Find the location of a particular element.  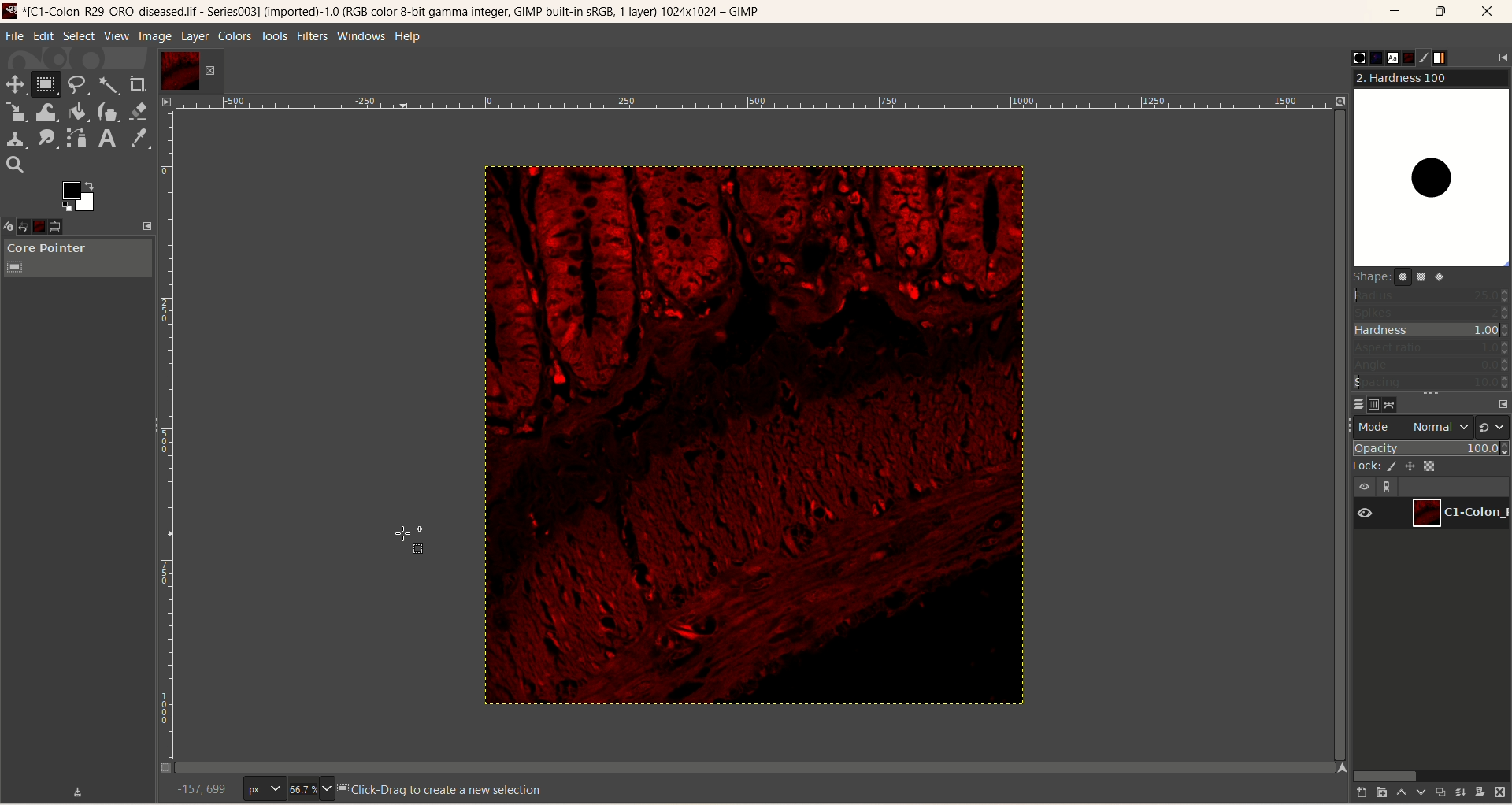

layers is located at coordinates (1352, 402).